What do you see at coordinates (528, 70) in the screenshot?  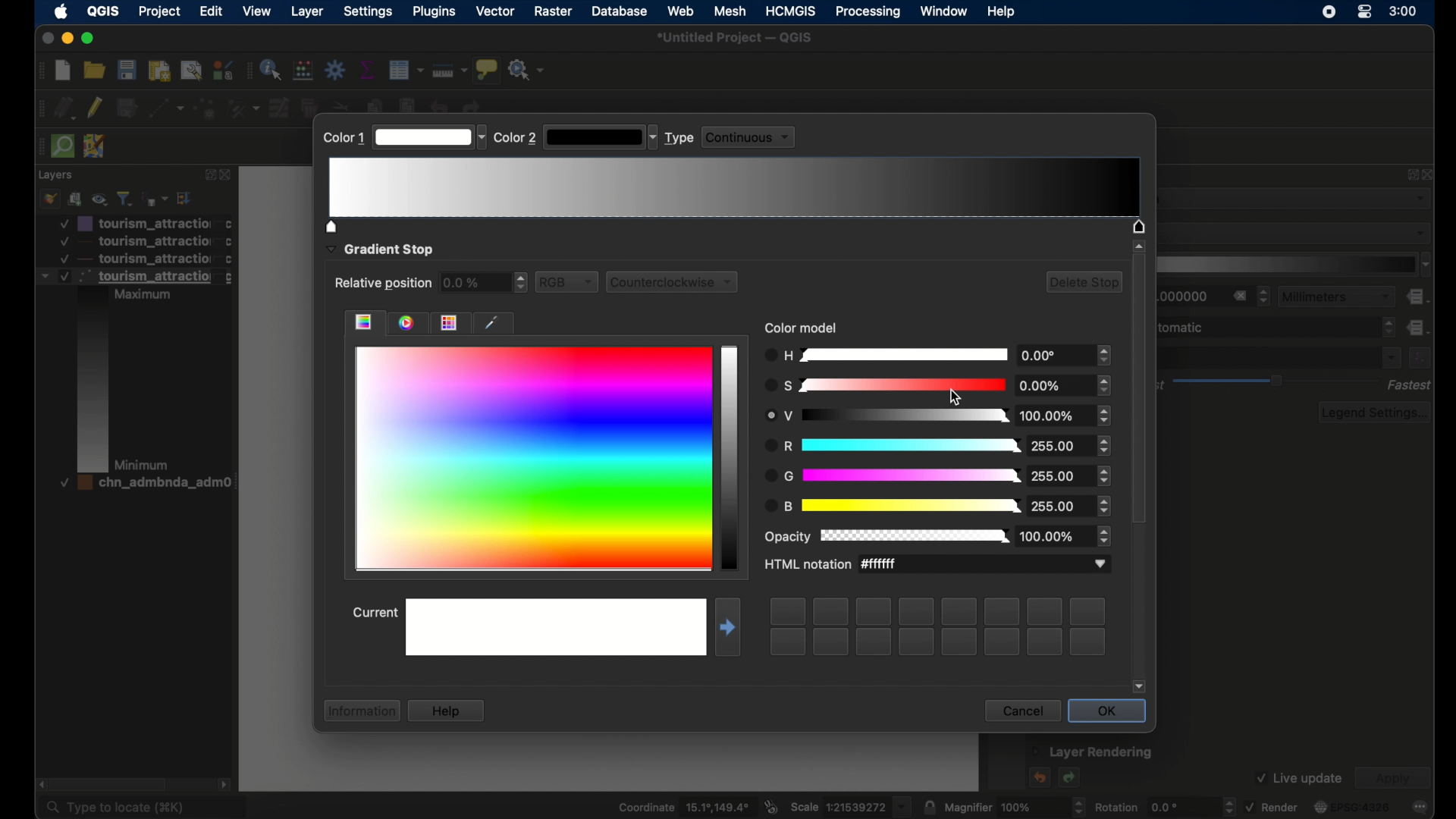 I see `no action selected ` at bounding box center [528, 70].